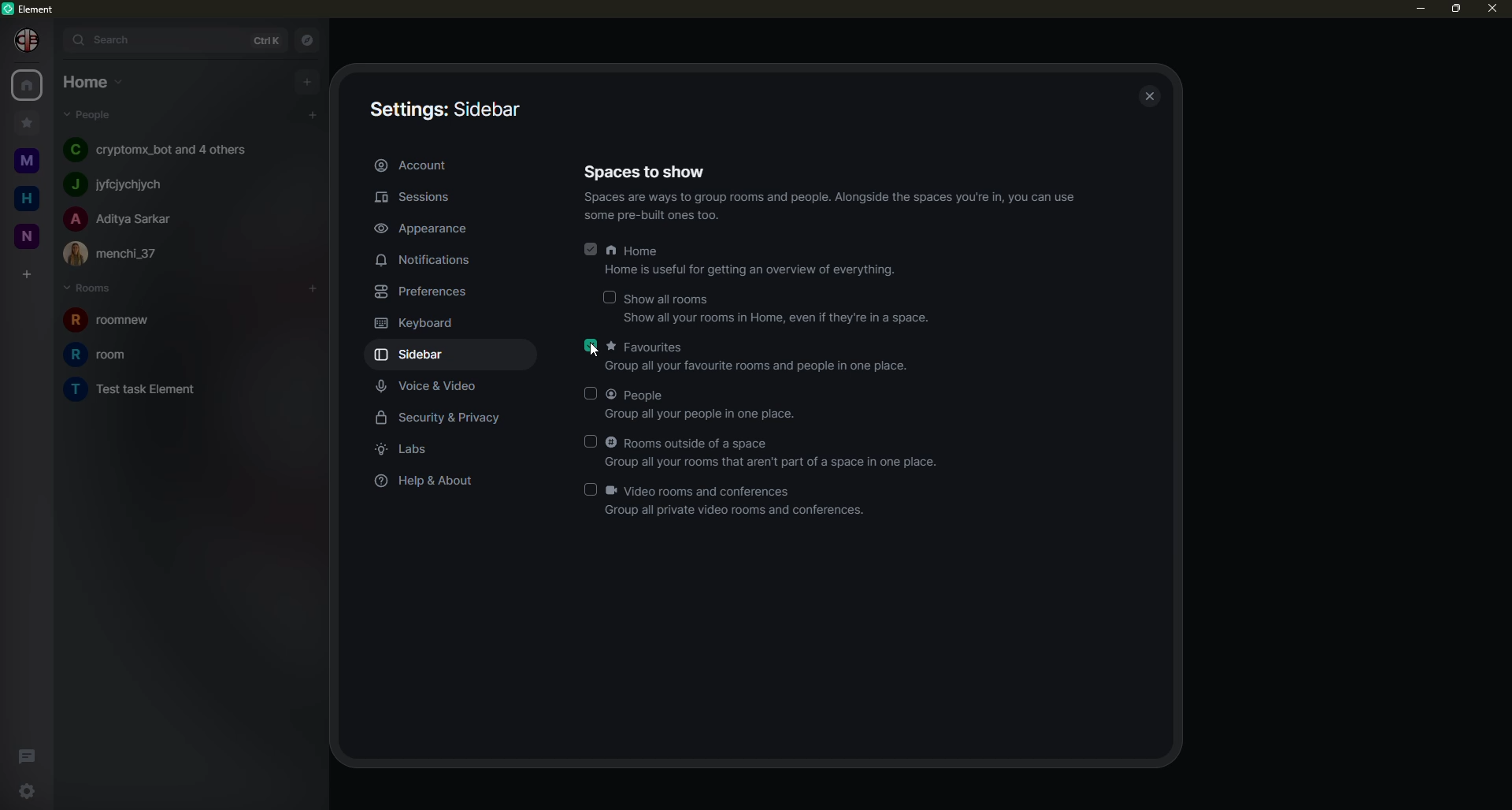 The image size is (1512, 810). What do you see at coordinates (54, 38) in the screenshot?
I see `expand` at bounding box center [54, 38].